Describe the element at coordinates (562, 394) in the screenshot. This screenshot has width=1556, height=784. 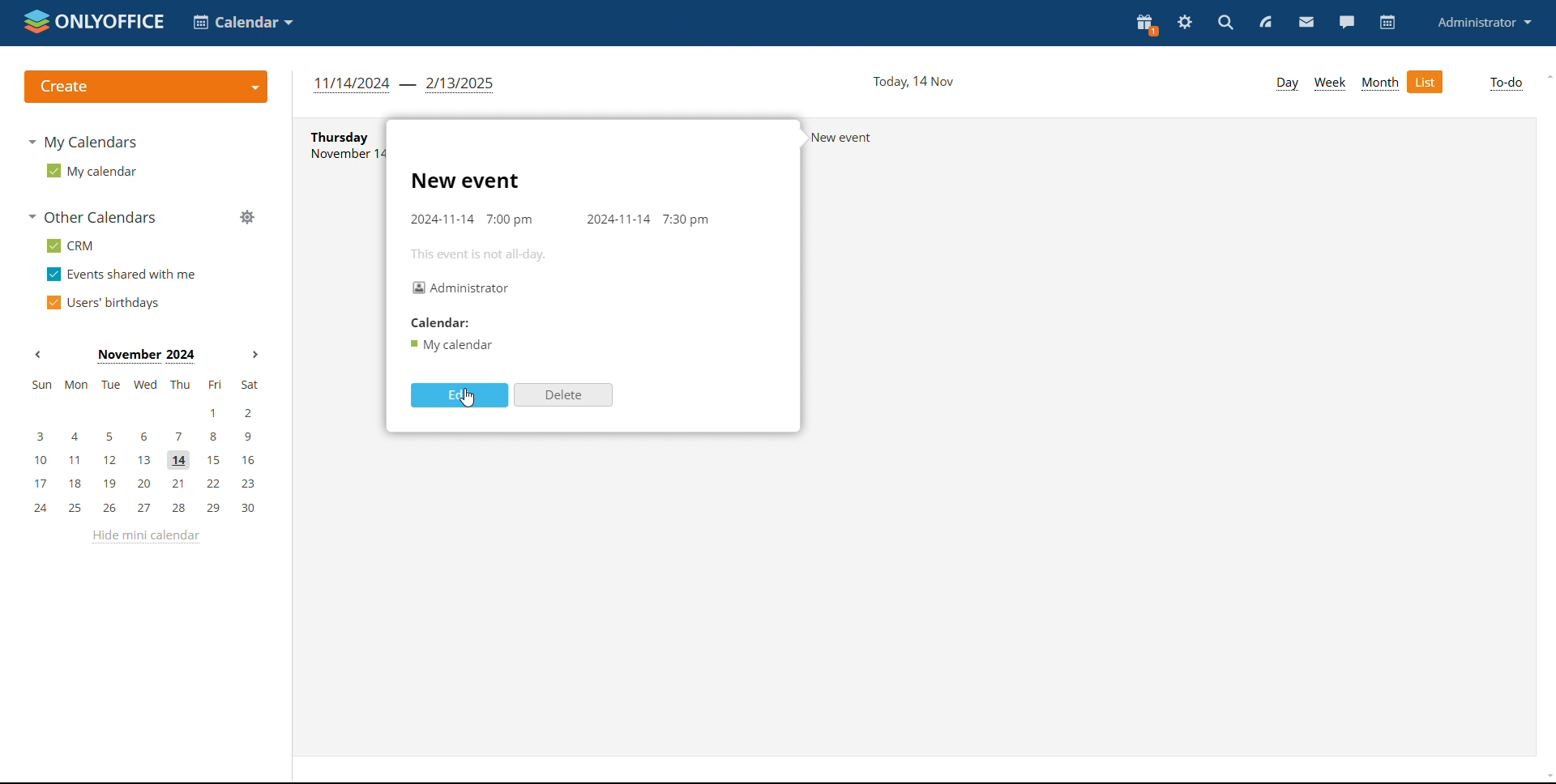
I see `delete` at that location.